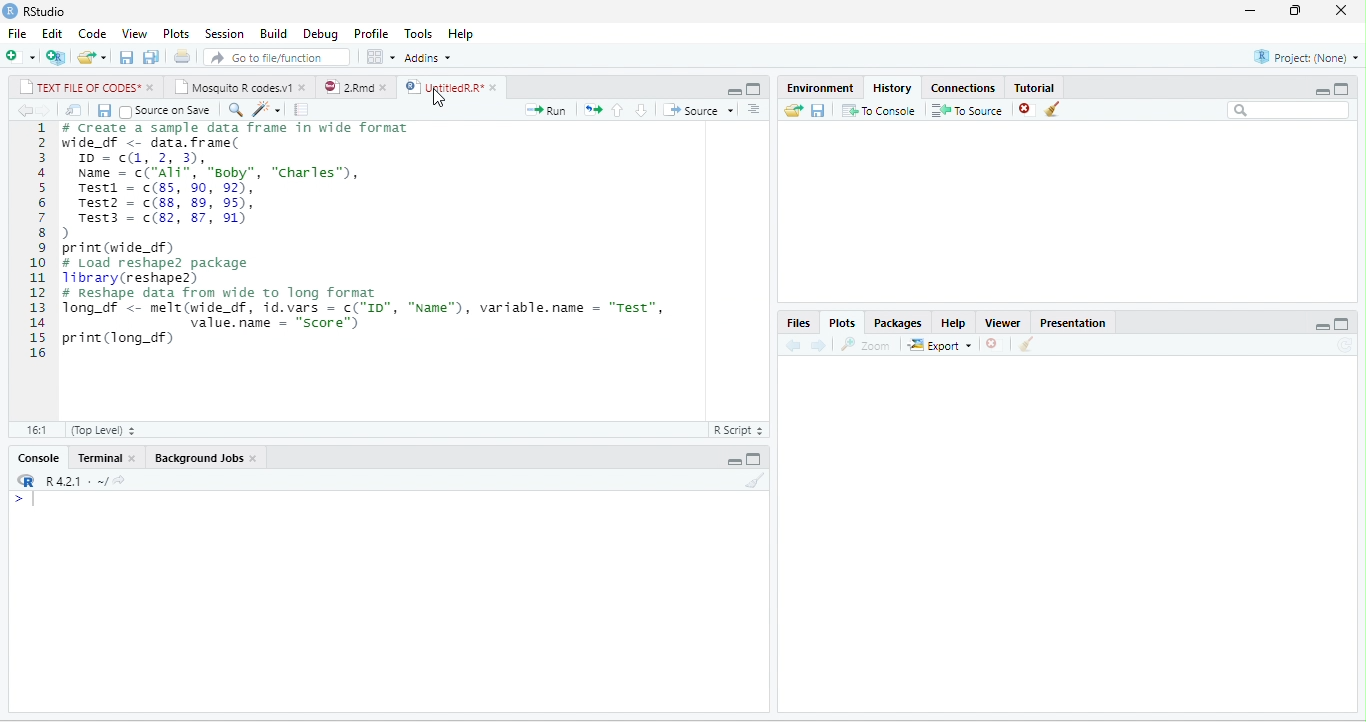 The width and height of the screenshot is (1366, 722). I want to click on Tools, so click(419, 35).